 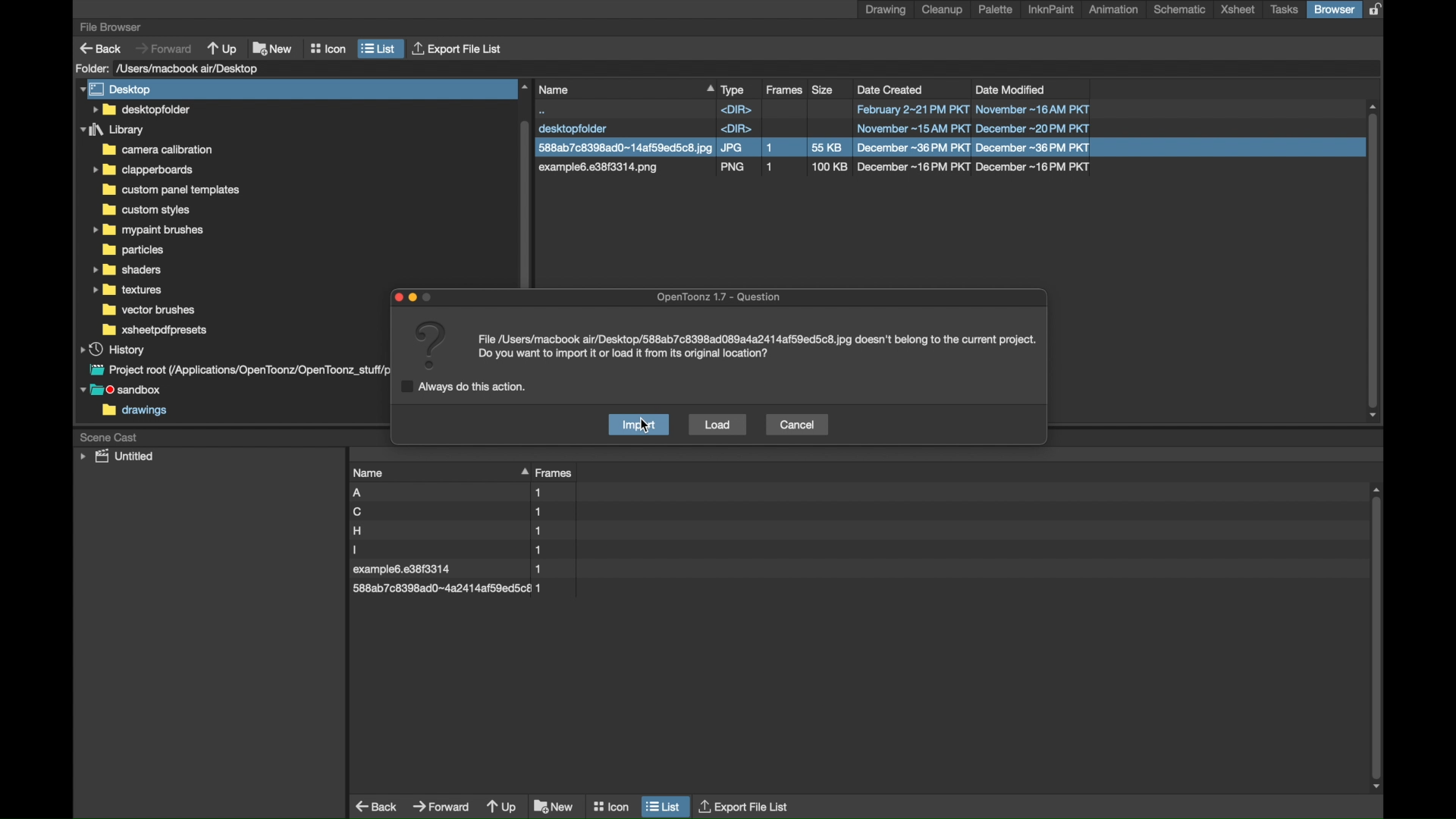 What do you see at coordinates (273, 46) in the screenshot?
I see `new` at bounding box center [273, 46].